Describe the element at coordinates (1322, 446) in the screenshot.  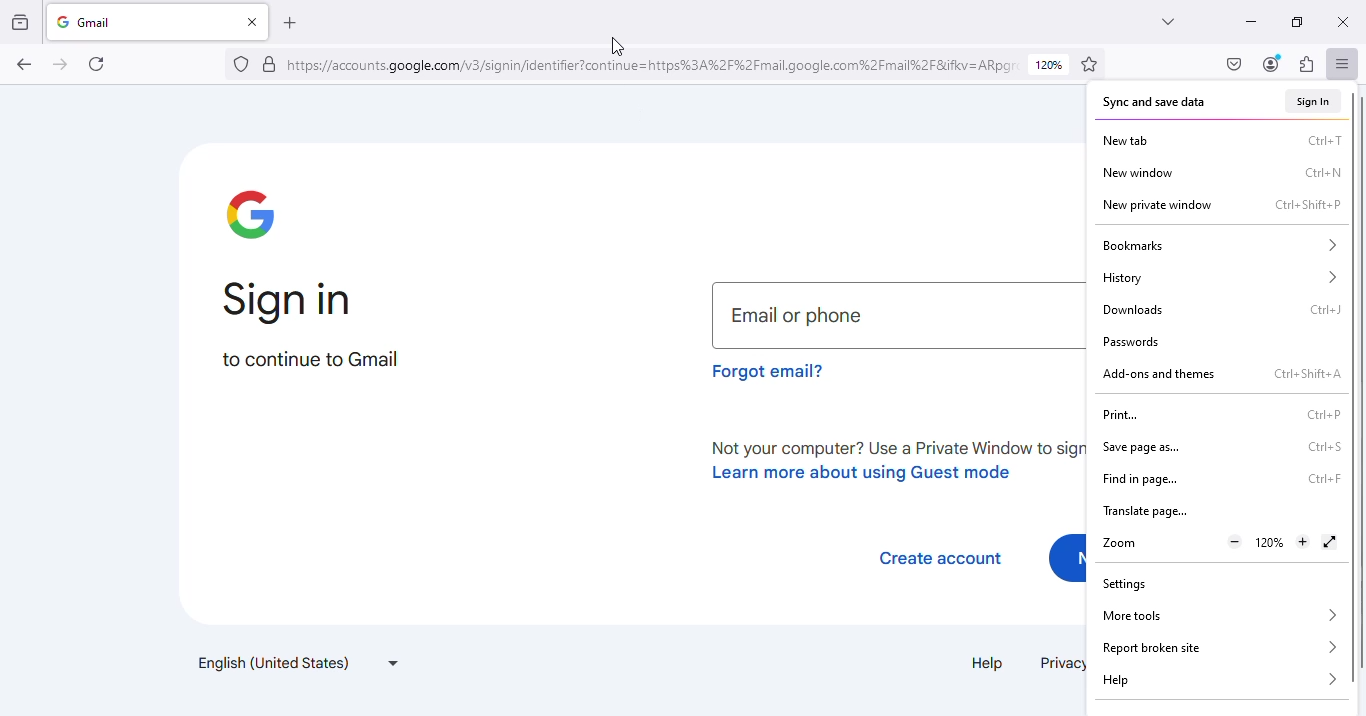
I see `shortcut for save page as` at that location.